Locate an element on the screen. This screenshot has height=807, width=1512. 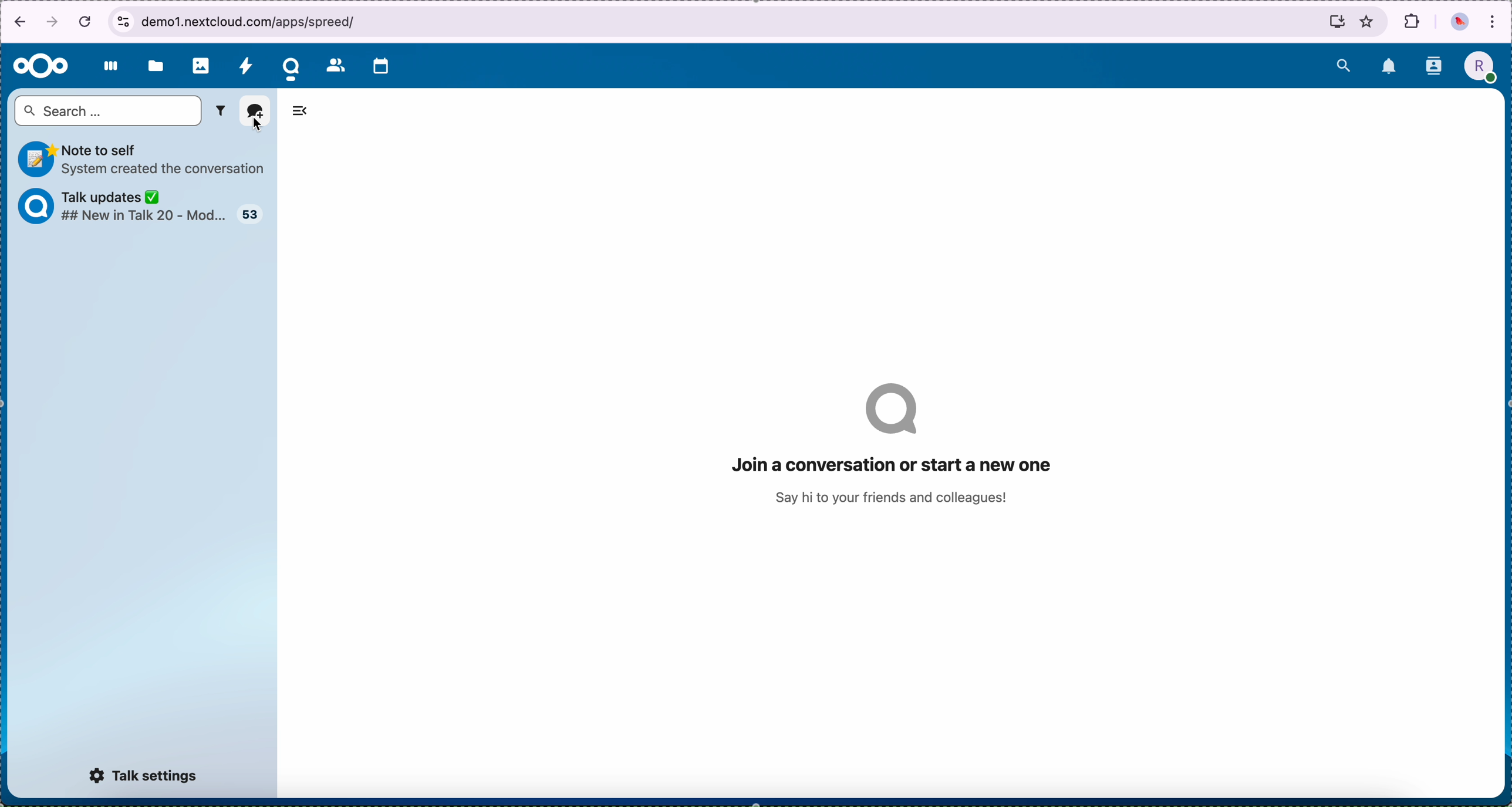
extensions is located at coordinates (1412, 18).